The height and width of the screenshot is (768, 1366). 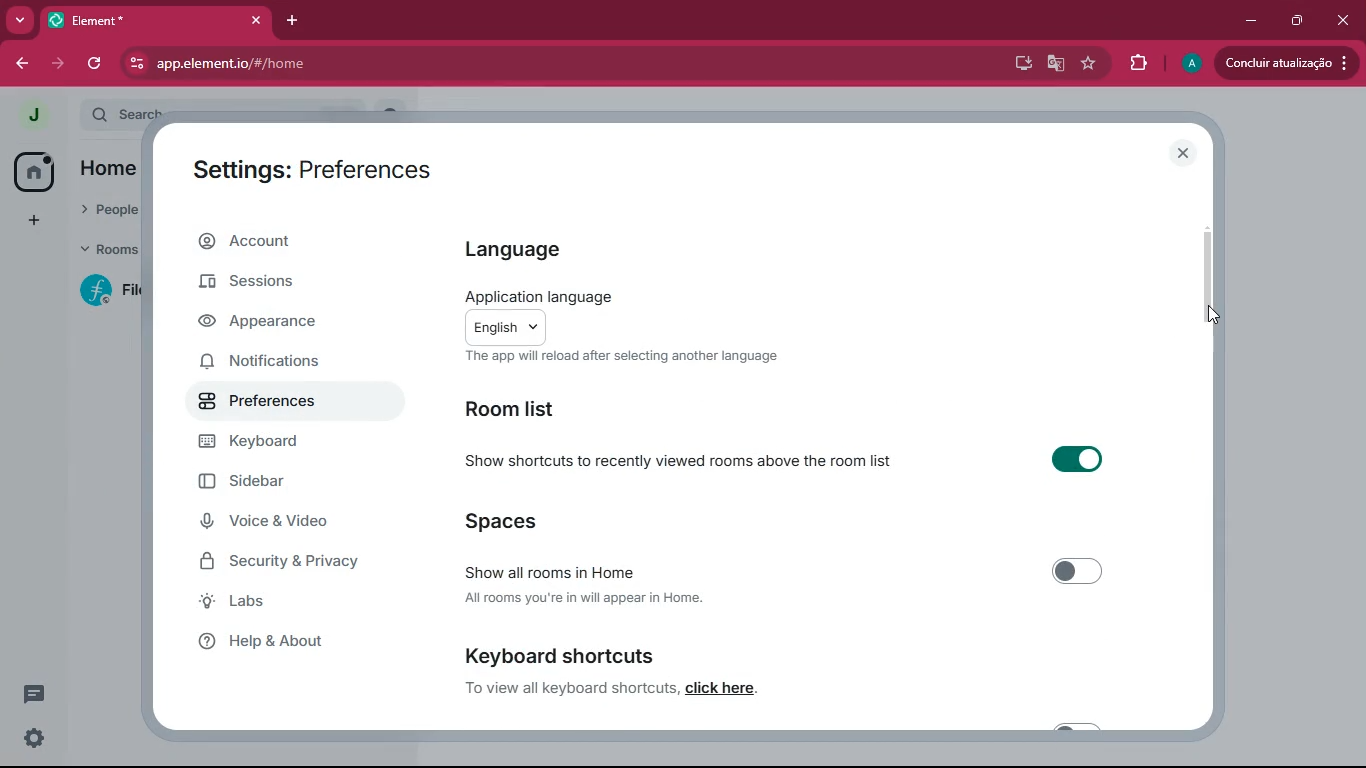 What do you see at coordinates (155, 20) in the screenshot?
I see `element` at bounding box center [155, 20].